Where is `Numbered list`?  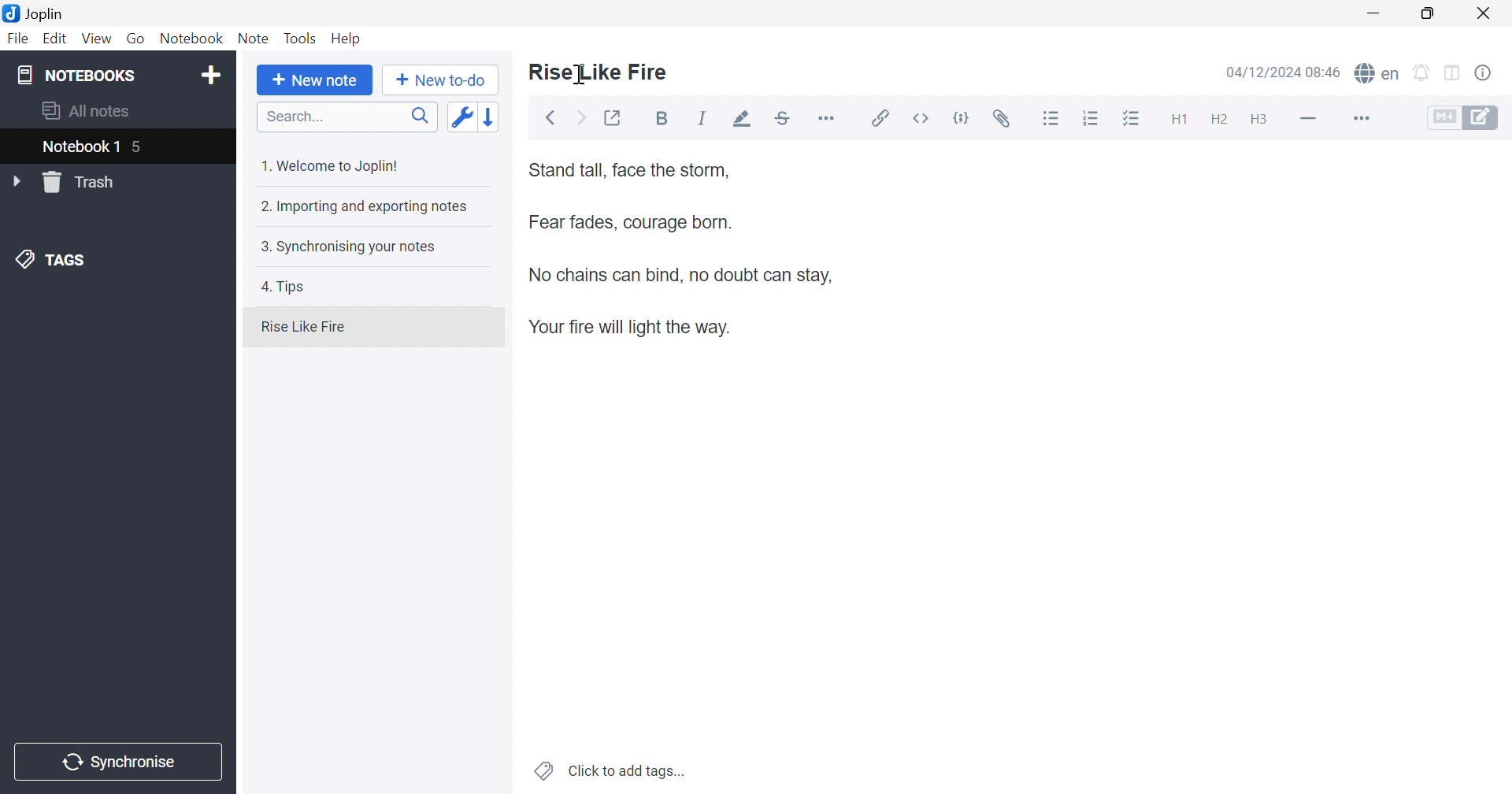 Numbered list is located at coordinates (1091, 118).